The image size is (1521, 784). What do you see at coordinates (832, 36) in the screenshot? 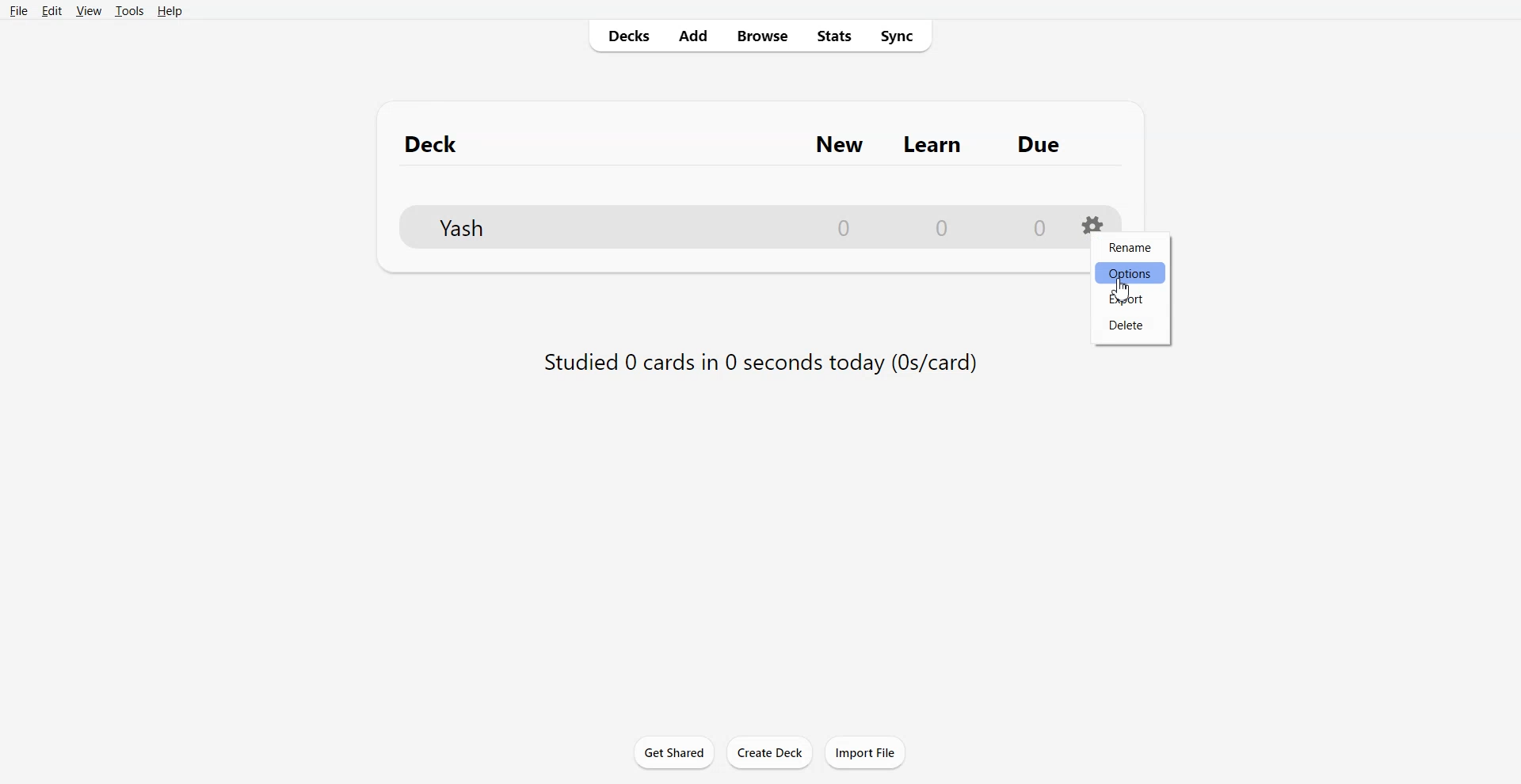
I see `Stats` at bounding box center [832, 36].